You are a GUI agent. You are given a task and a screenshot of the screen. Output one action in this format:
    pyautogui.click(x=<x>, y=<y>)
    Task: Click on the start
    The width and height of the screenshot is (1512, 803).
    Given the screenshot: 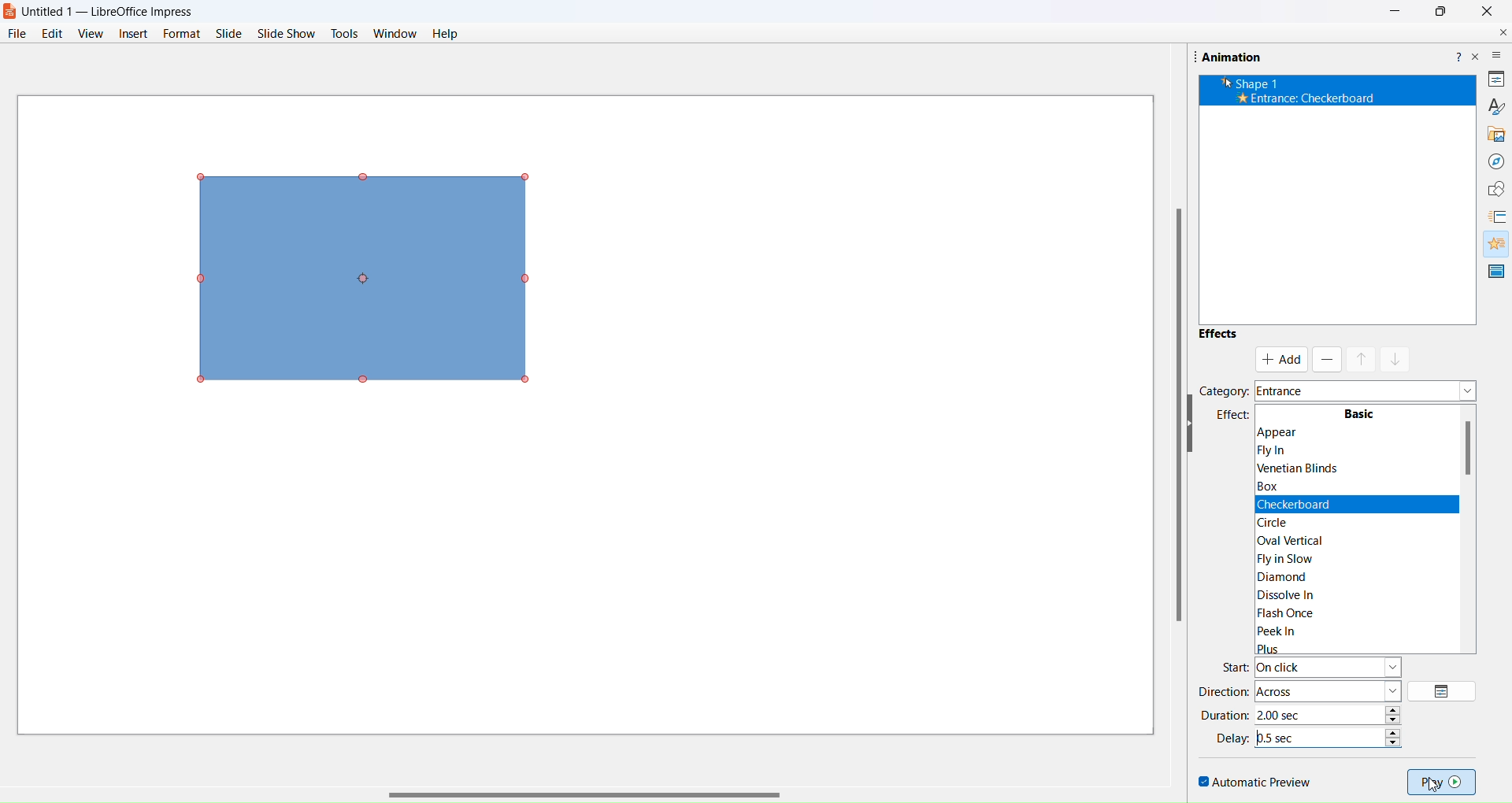 What is the action you would take?
    pyautogui.click(x=1235, y=665)
    